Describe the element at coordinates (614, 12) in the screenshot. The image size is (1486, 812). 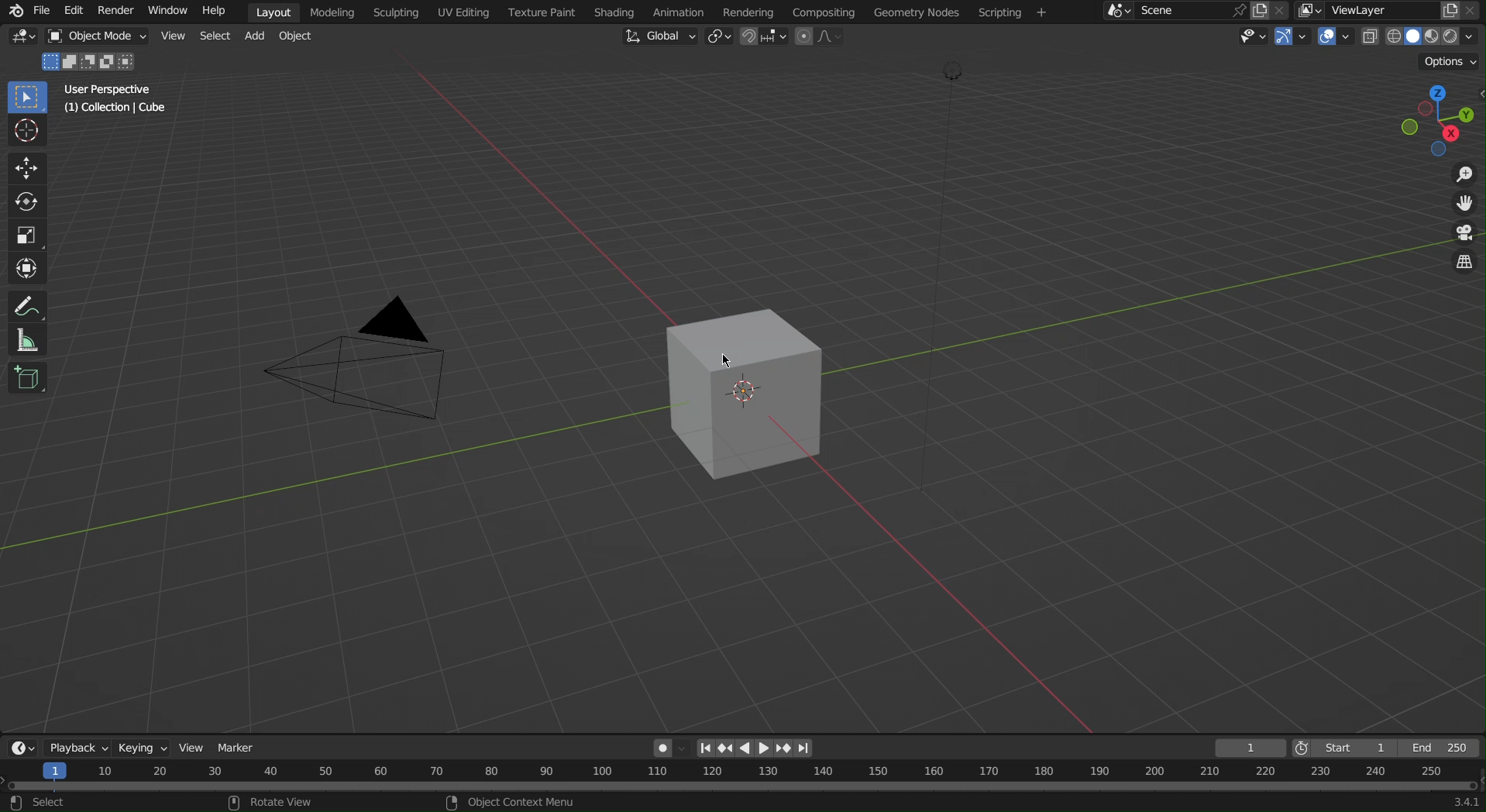
I see `Shading` at that location.